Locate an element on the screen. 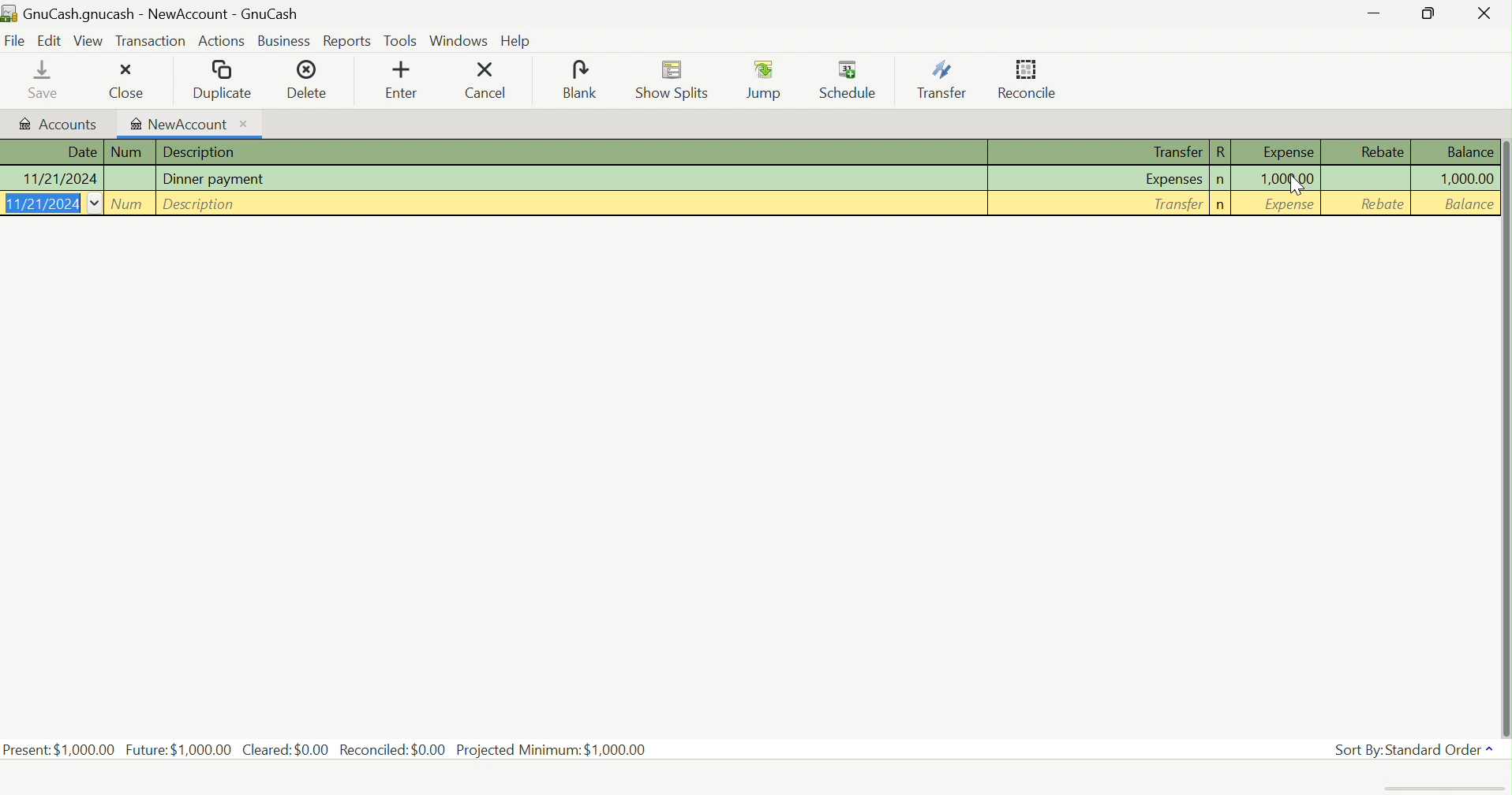 The width and height of the screenshot is (1512, 795). File is located at coordinates (15, 41).